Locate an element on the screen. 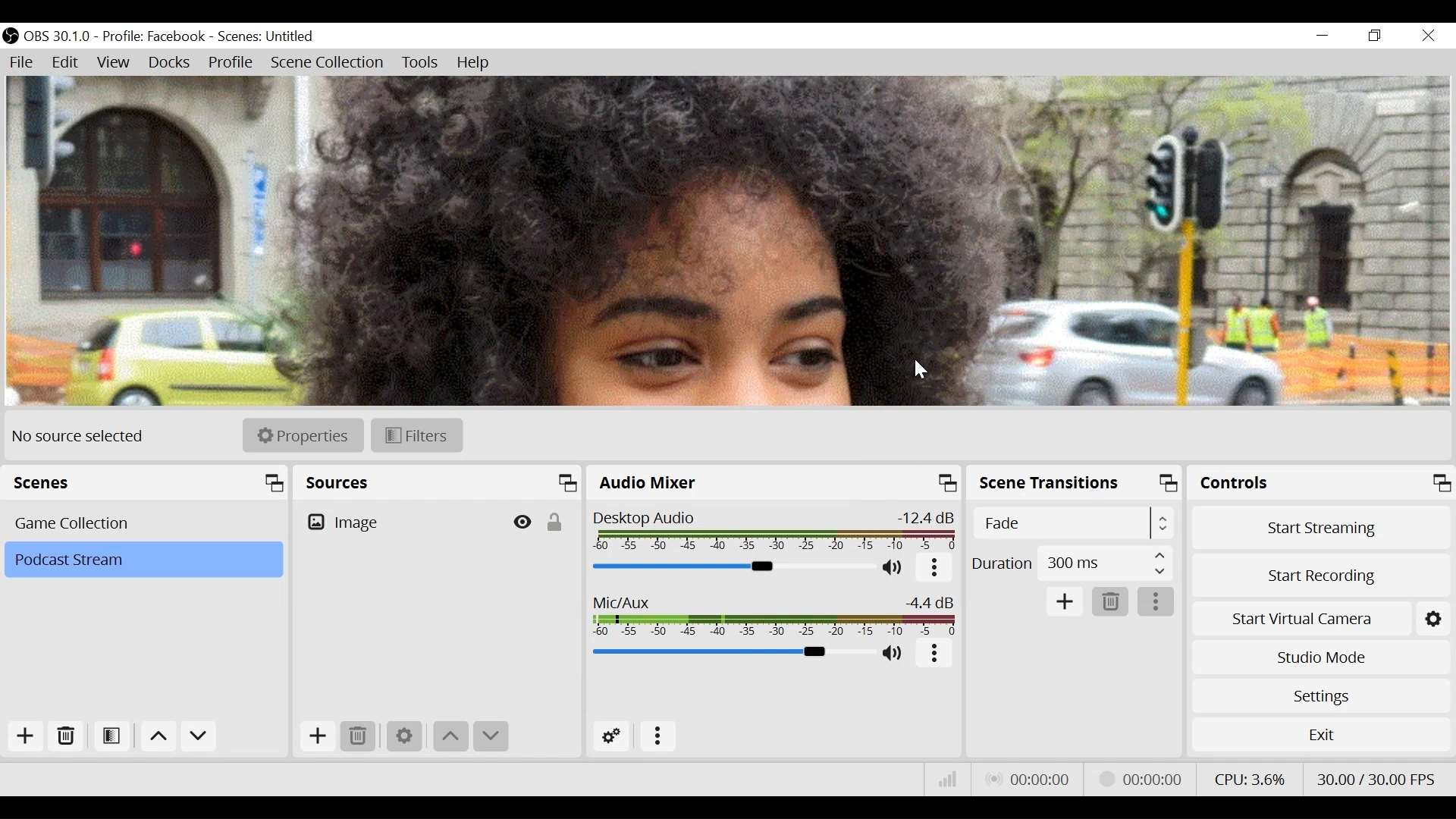 This screenshot has width=1456, height=819. Scenes is located at coordinates (145, 523).